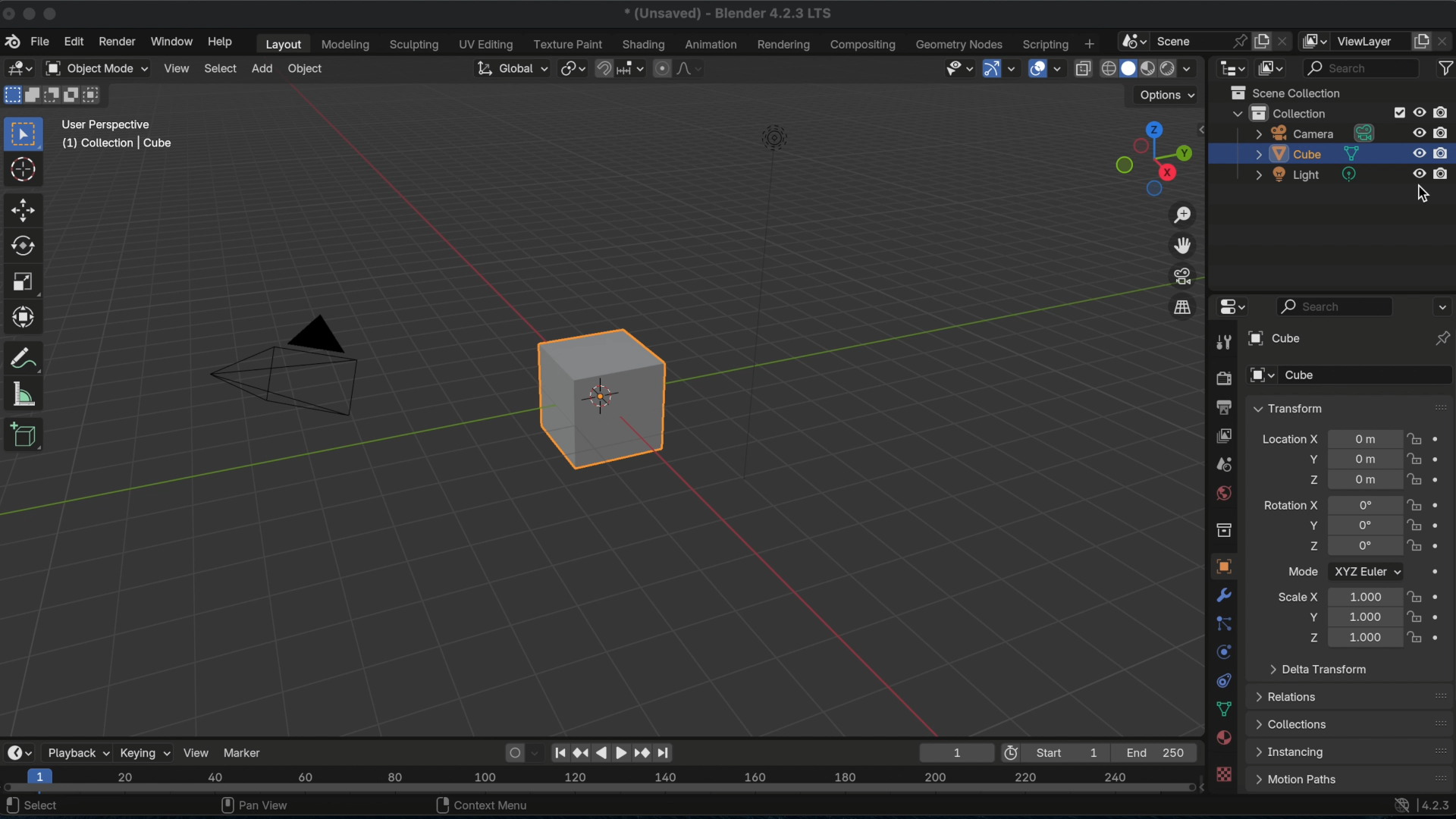 Image resolution: width=1456 pixels, height=819 pixels. I want to click on cube, so click(1301, 375).